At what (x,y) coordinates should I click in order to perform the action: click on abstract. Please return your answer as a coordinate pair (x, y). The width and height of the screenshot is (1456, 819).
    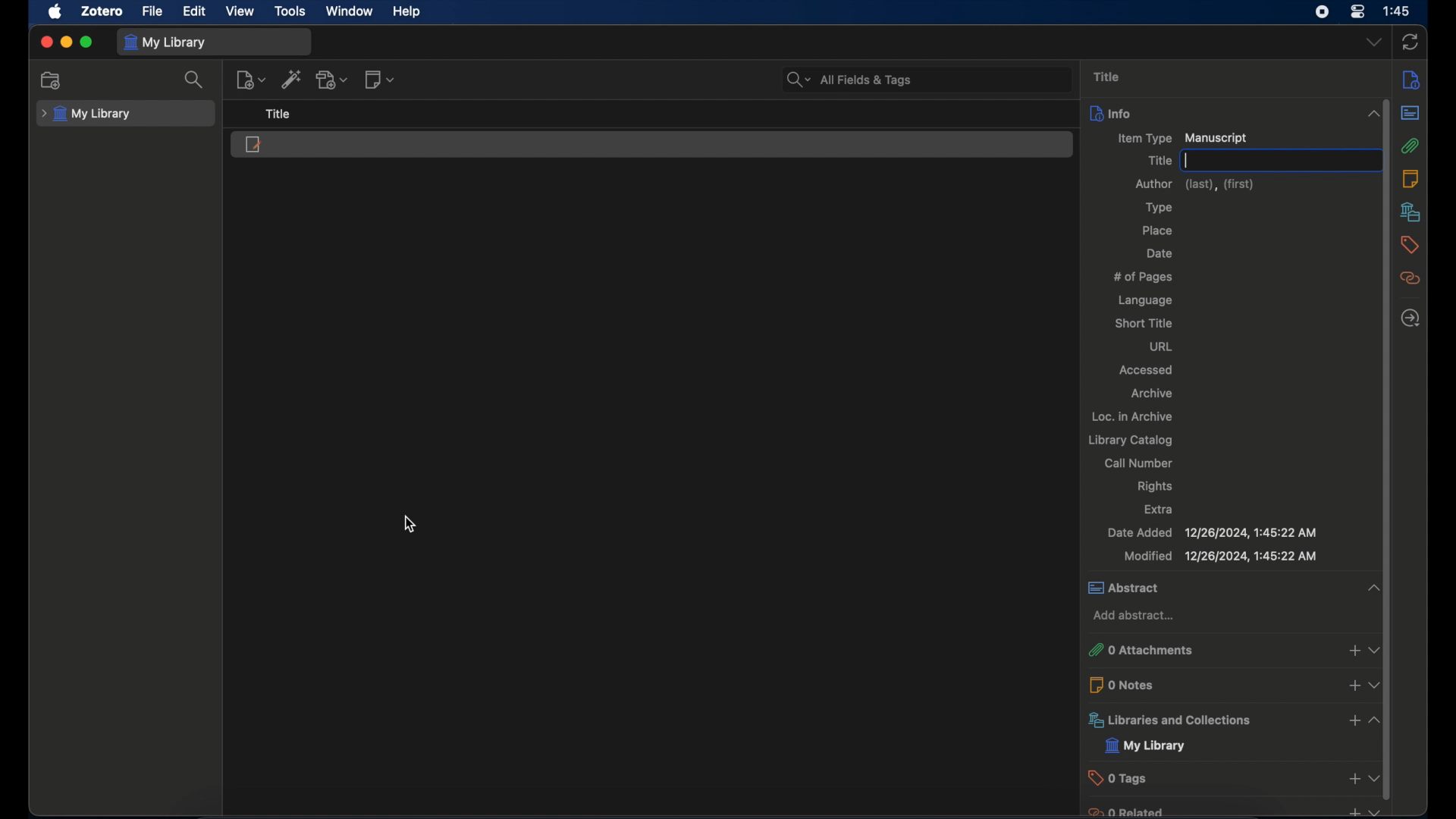
    Looking at the image, I should click on (1234, 588).